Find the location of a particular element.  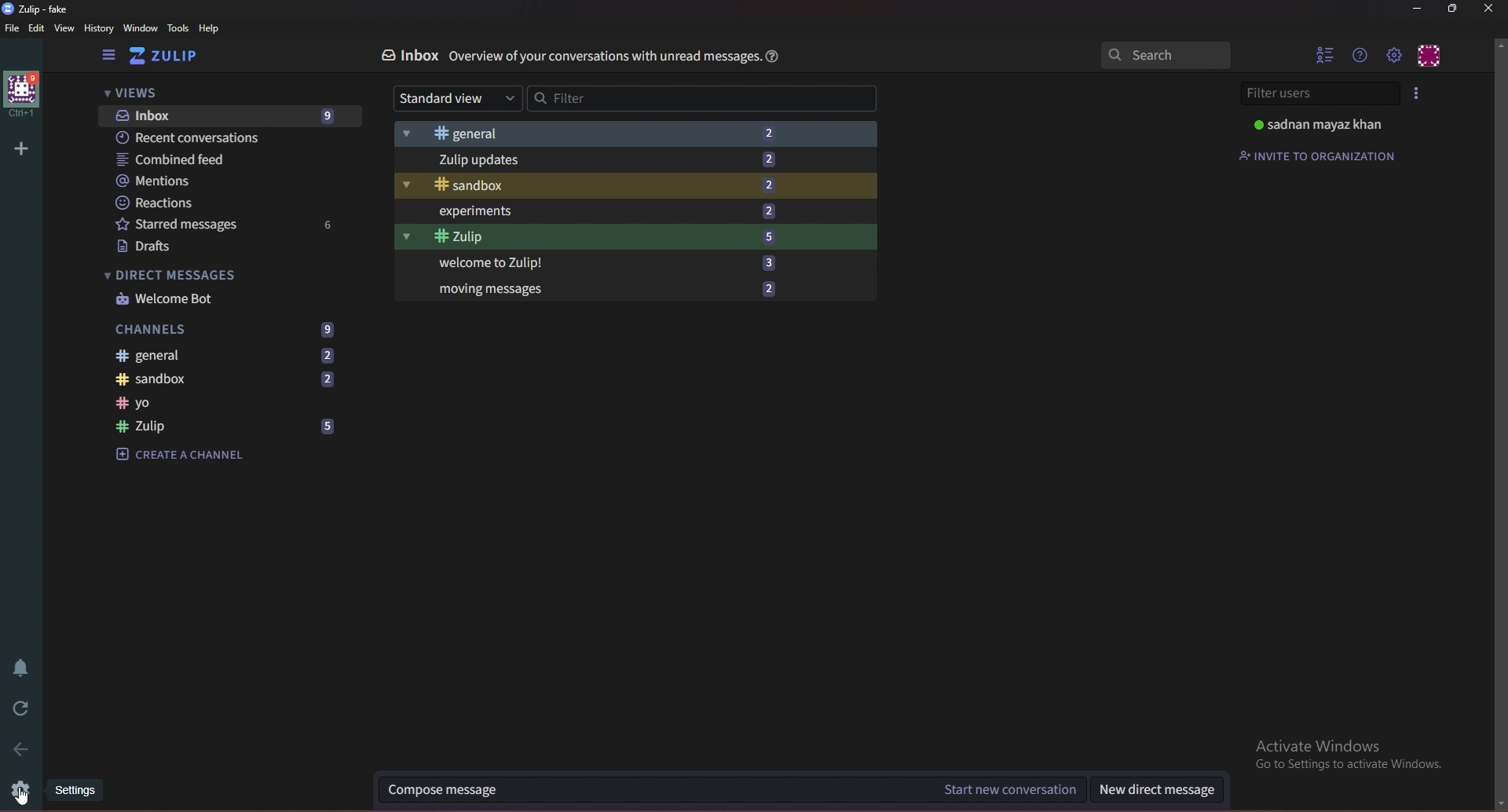

back is located at coordinates (20, 752).